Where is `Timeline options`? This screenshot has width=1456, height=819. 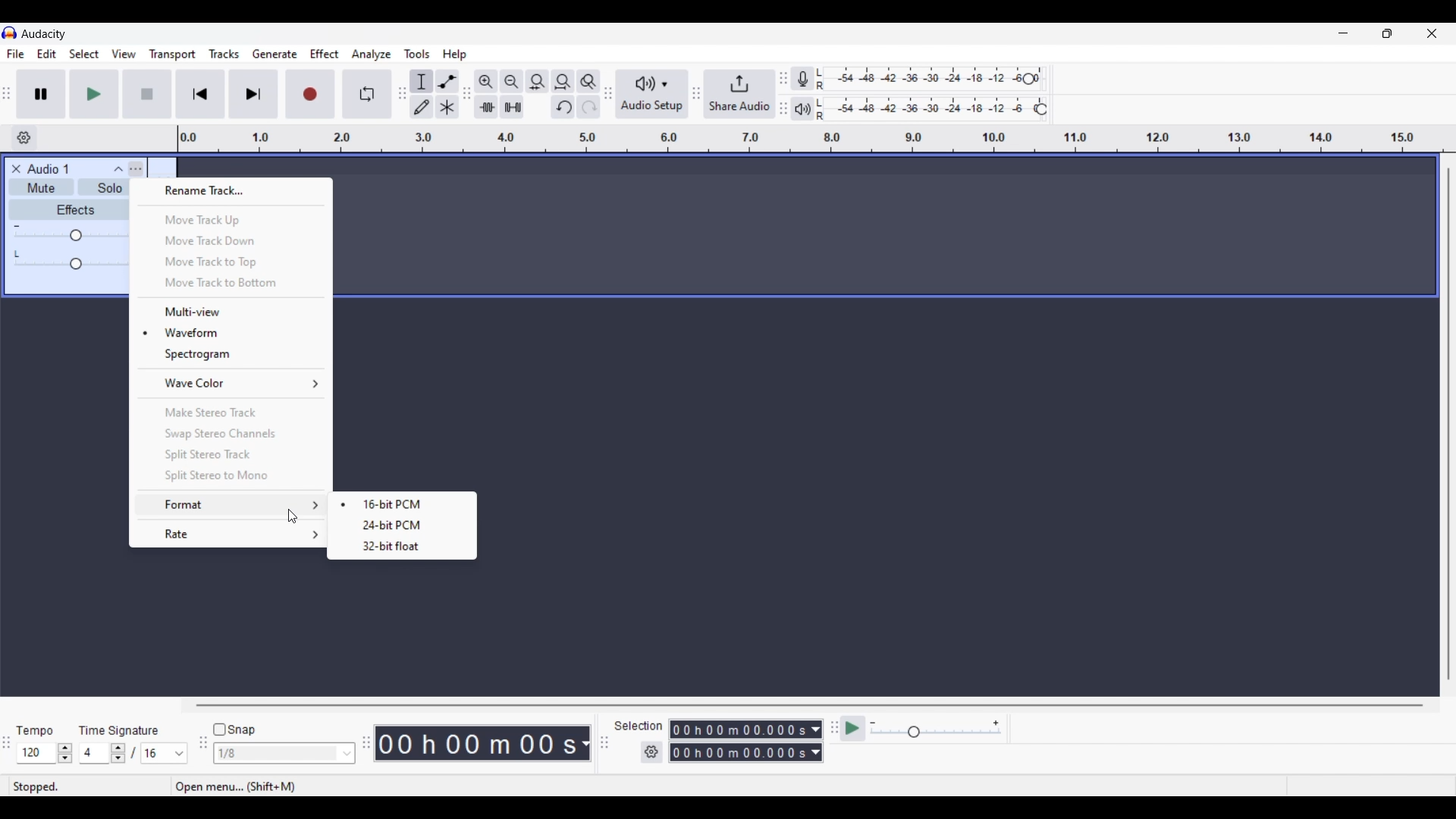 Timeline options is located at coordinates (24, 138).